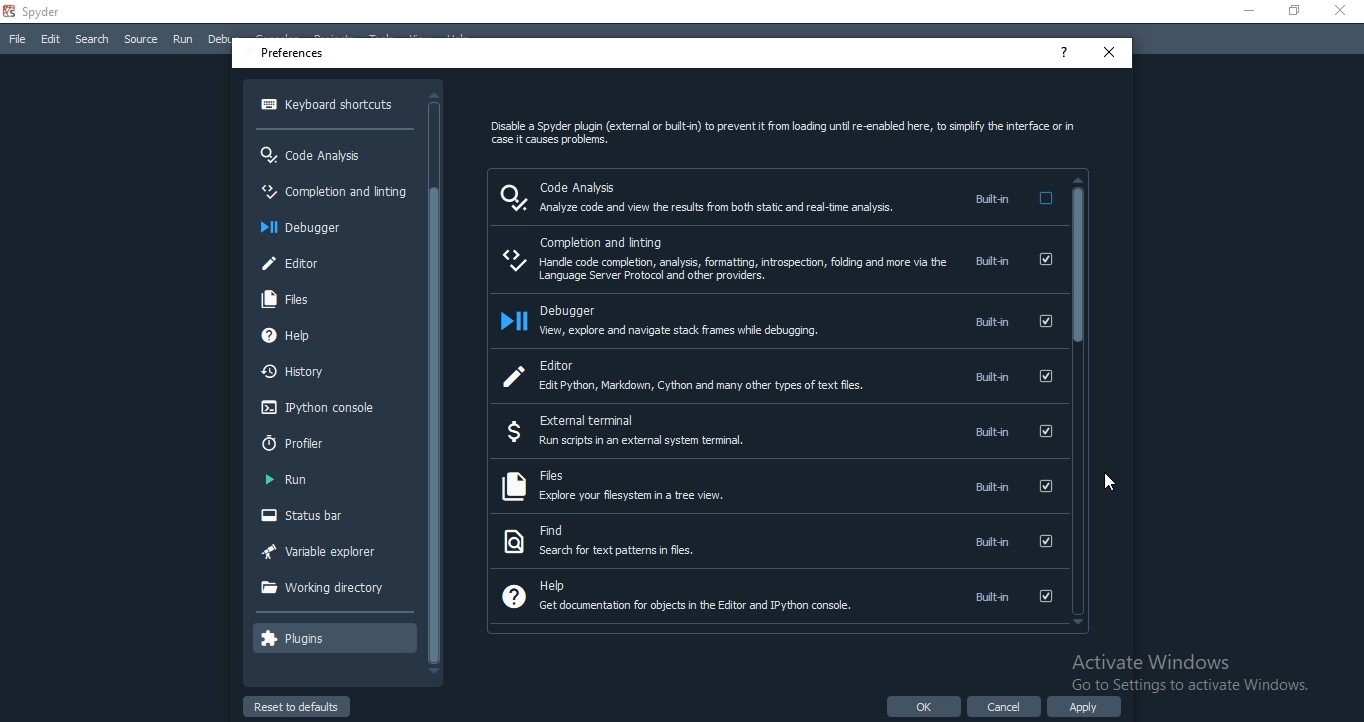 This screenshot has width=1364, height=722. What do you see at coordinates (1244, 11) in the screenshot?
I see `Minimise` at bounding box center [1244, 11].